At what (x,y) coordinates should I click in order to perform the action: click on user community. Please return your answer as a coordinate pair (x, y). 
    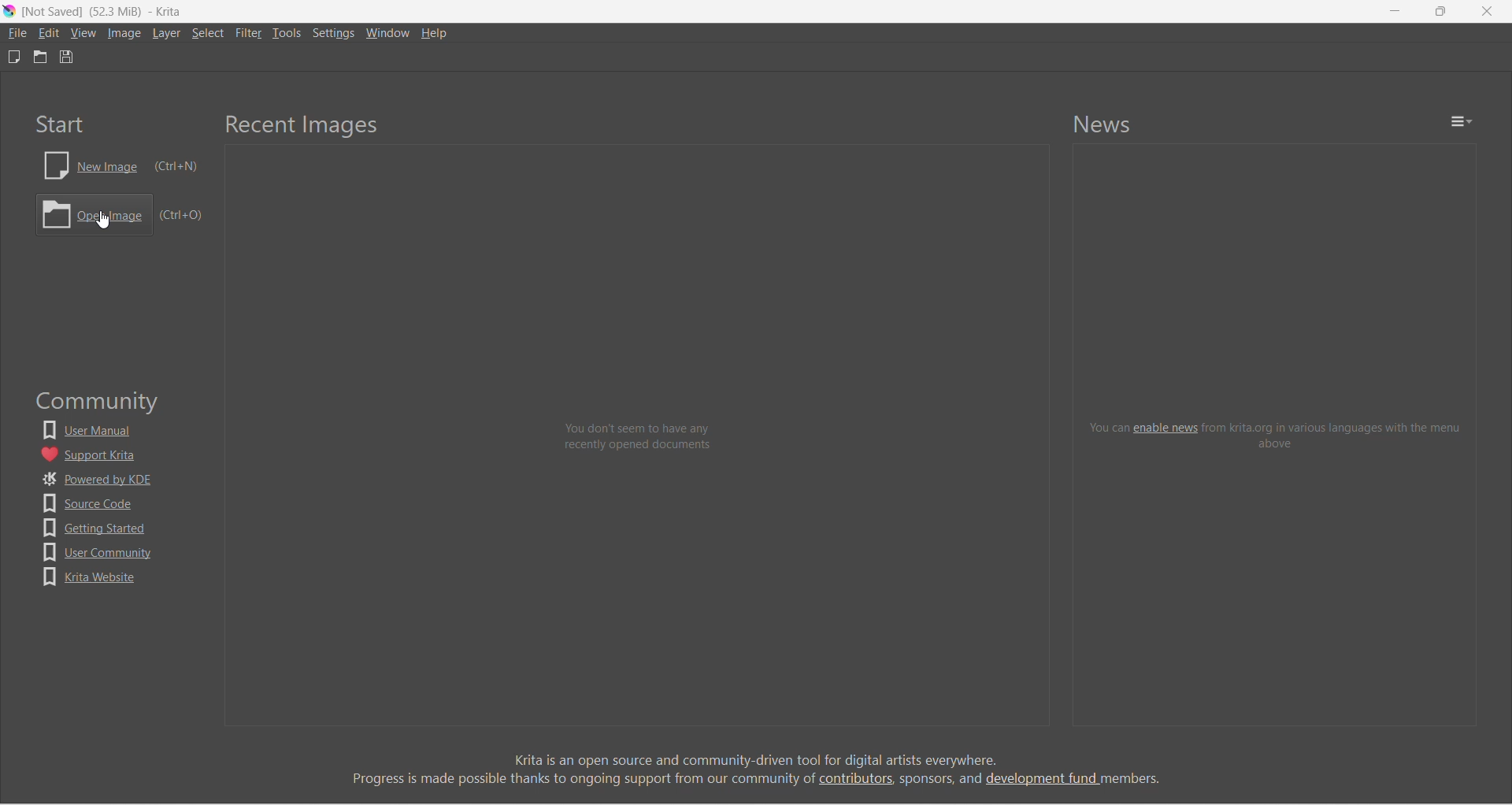
    Looking at the image, I should click on (98, 552).